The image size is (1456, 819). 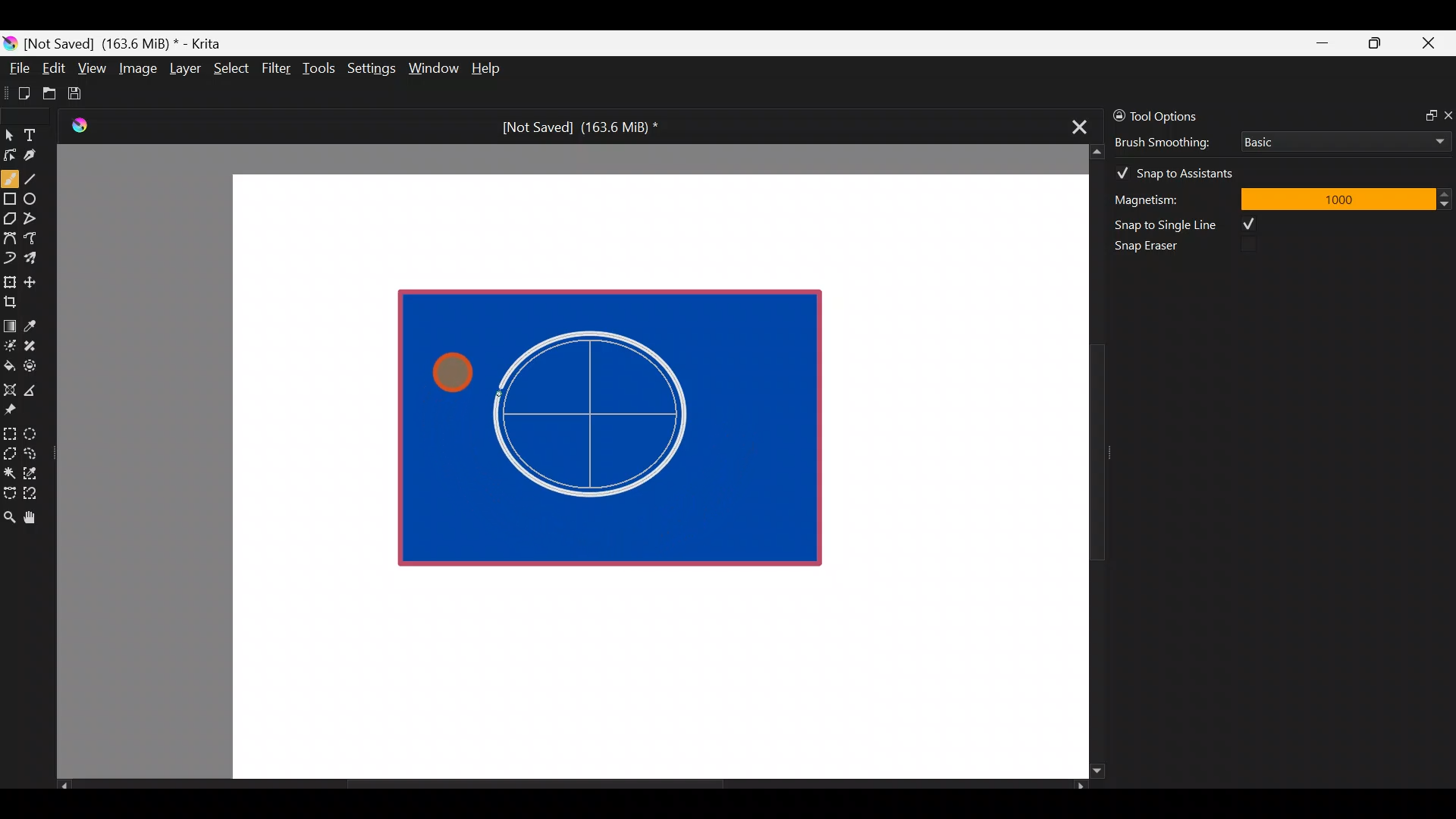 What do you see at coordinates (1191, 224) in the screenshot?
I see `Snap to single line` at bounding box center [1191, 224].